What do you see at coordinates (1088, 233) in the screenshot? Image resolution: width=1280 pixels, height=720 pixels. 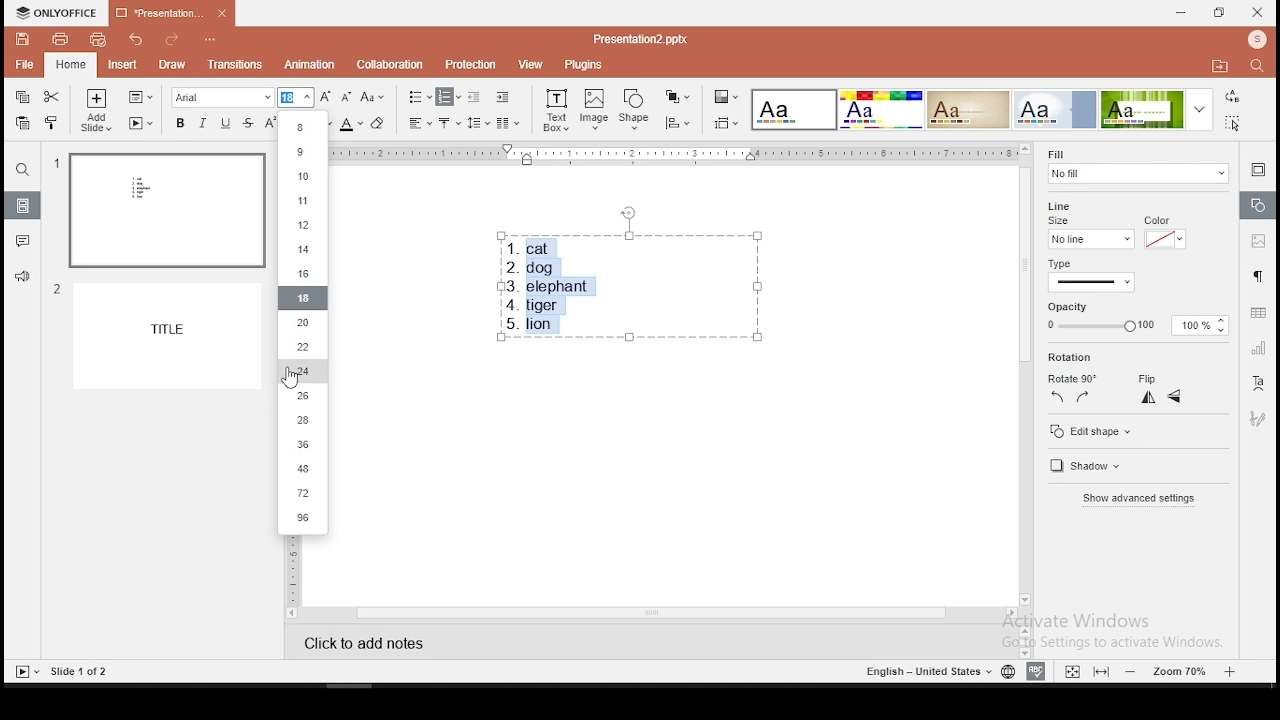 I see `line size` at bounding box center [1088, 233].